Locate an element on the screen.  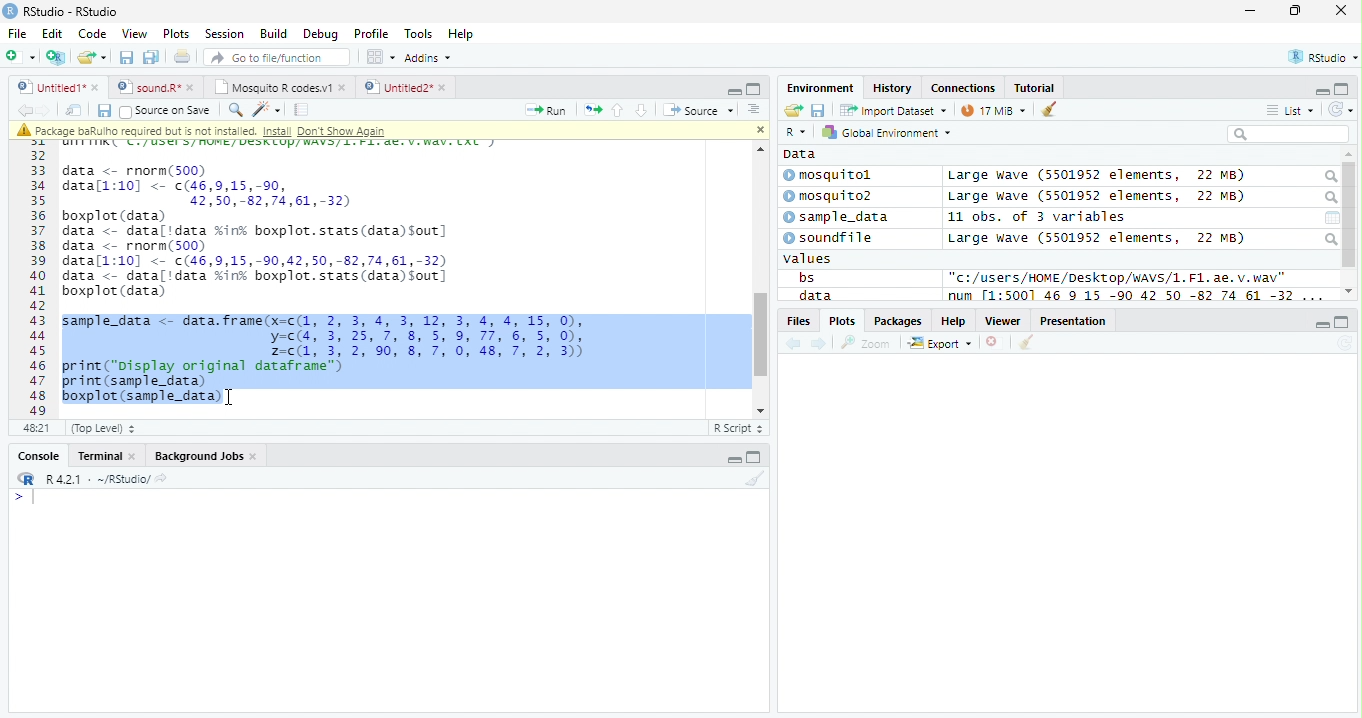
new file is located at coordinates (21, 57).